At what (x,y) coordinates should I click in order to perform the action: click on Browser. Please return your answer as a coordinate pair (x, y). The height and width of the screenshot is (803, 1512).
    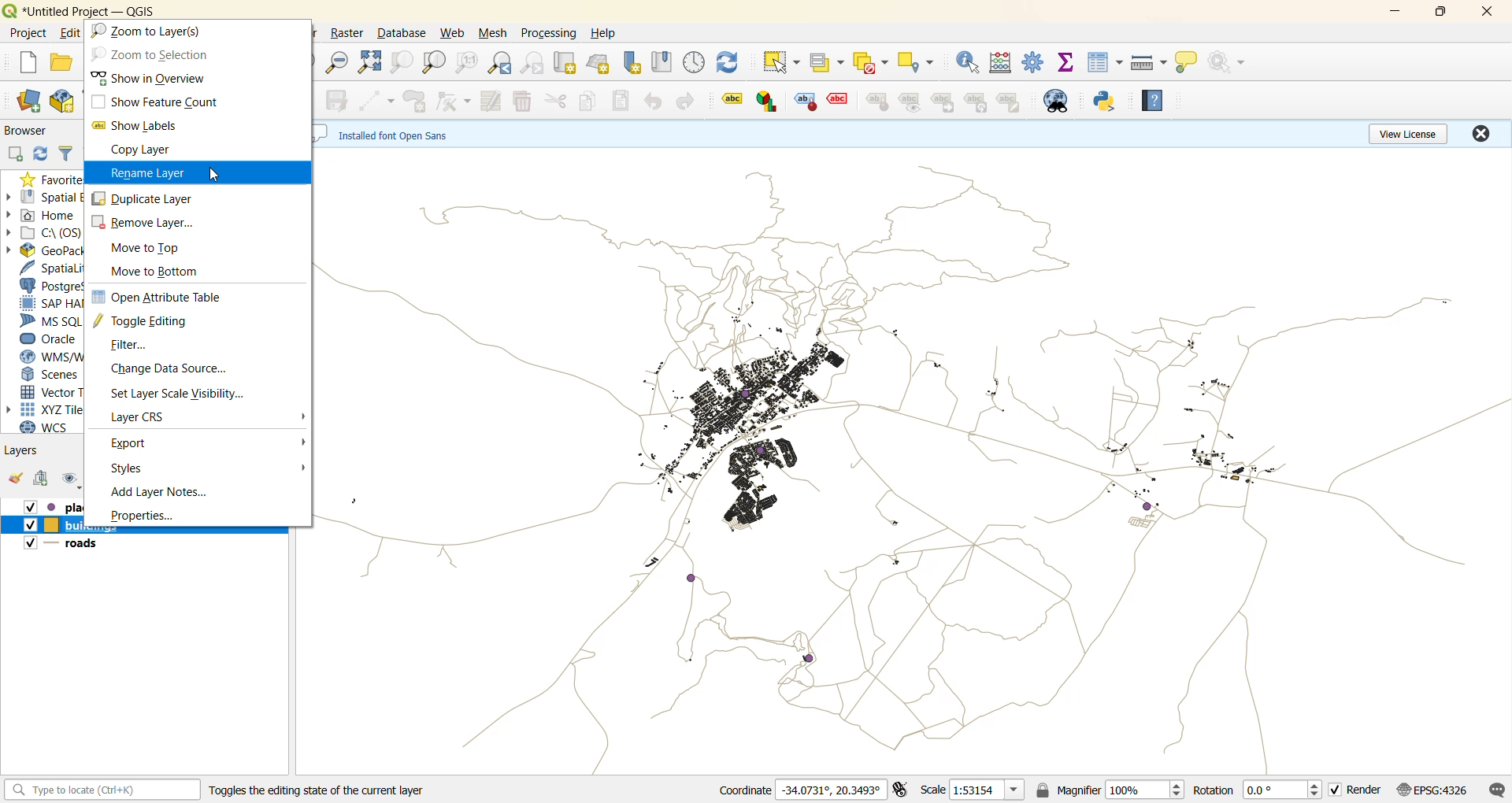
    Looking at the image, I should click on (31, 132).